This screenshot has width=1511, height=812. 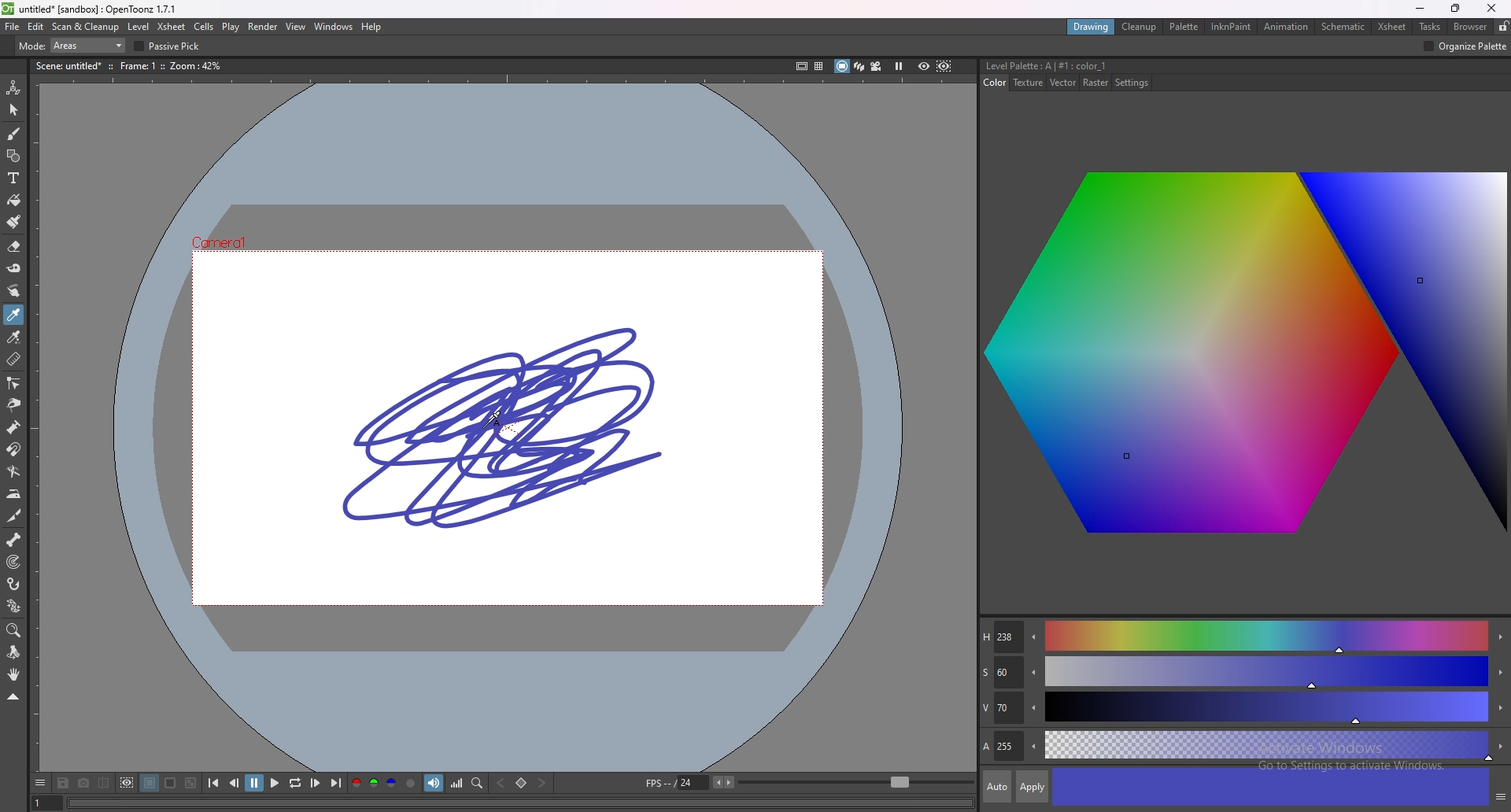 What do you see at coordinates (373, 784) in the screenshot?
I see `green channel` at bounding box center [373, 784].